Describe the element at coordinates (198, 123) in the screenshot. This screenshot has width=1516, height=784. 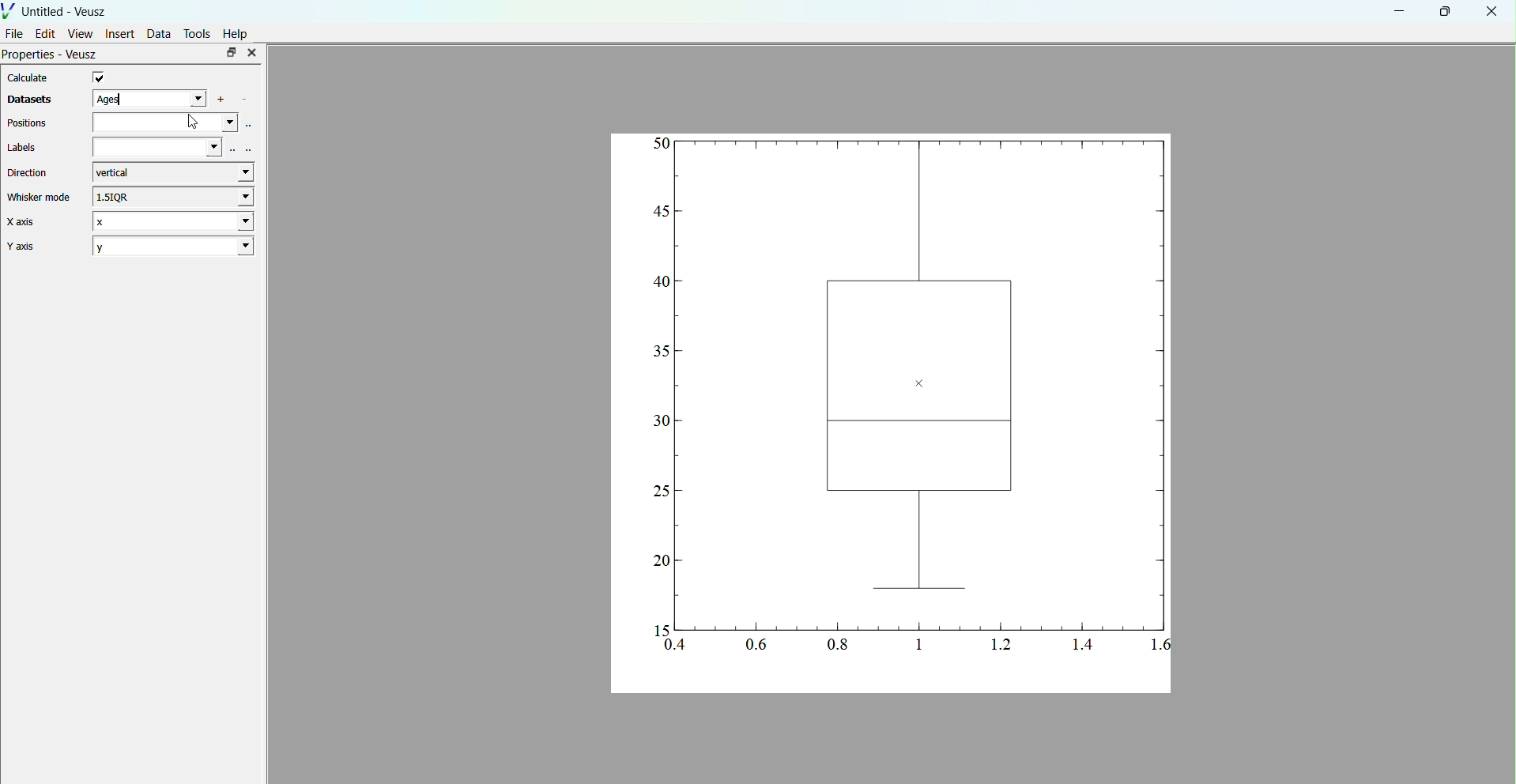
I see `cursor` at that location.